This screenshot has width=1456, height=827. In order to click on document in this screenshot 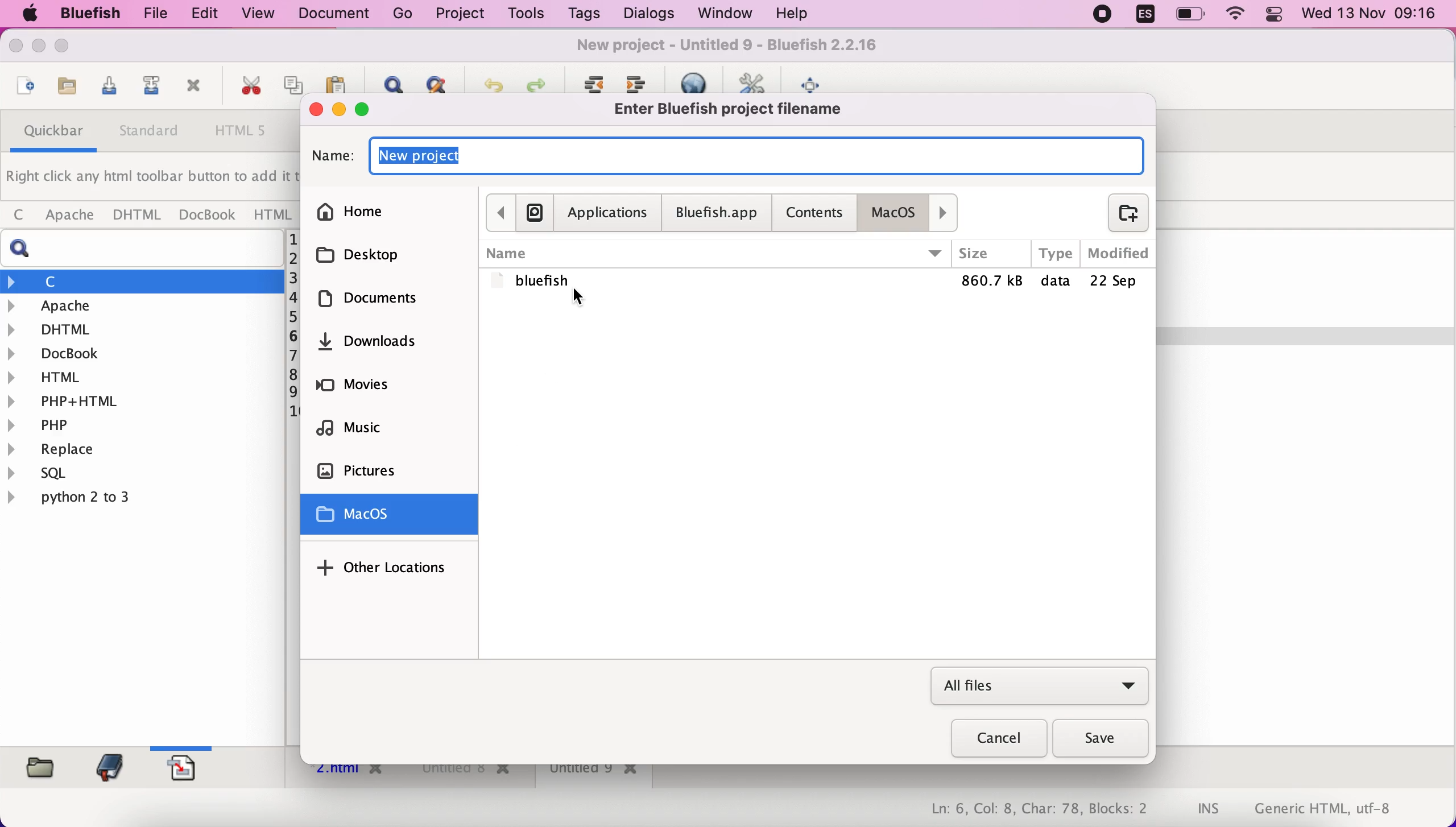, I will do `click(338, 14)`.